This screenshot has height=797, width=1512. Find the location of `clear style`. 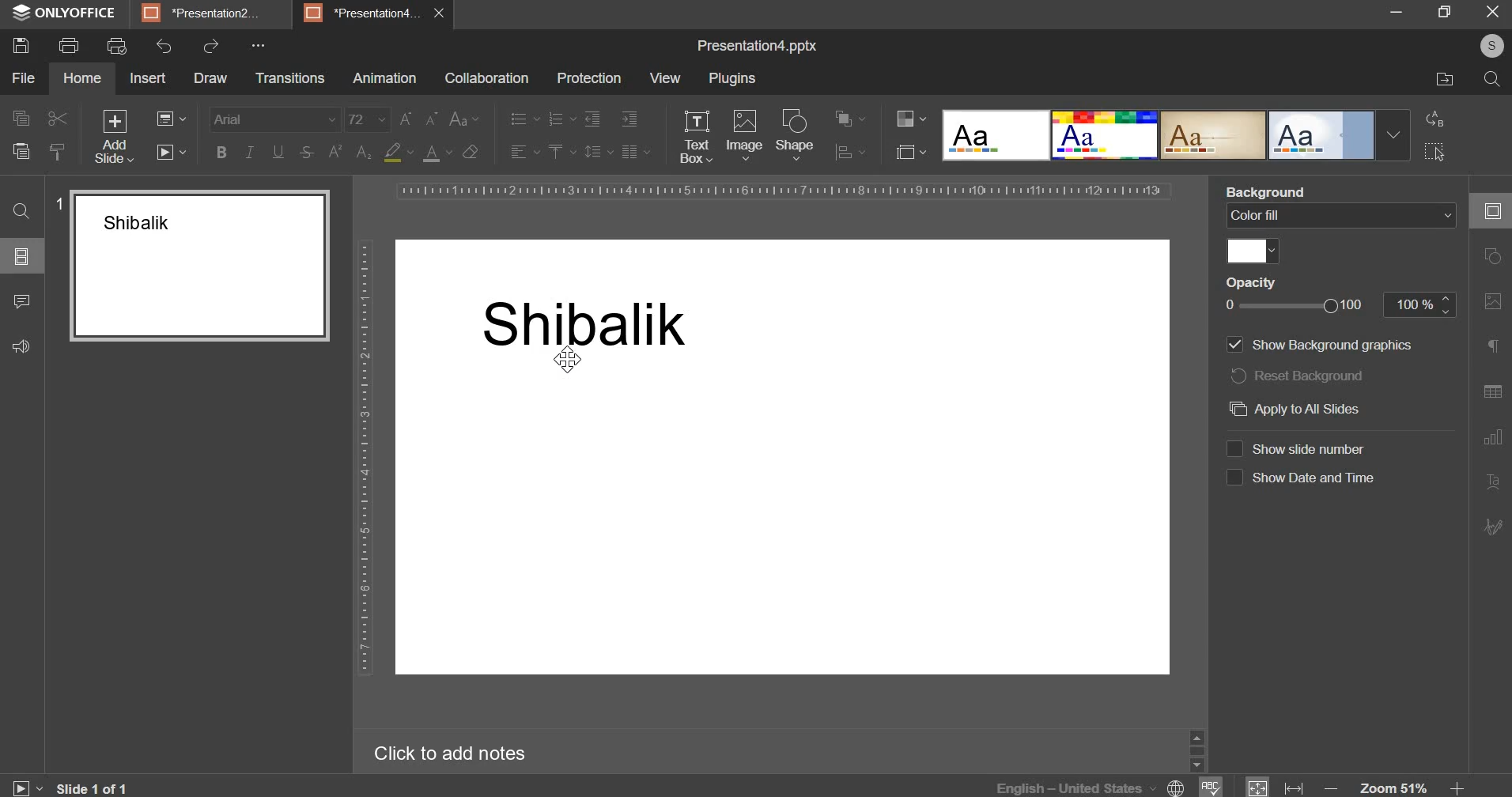

clear style is located at coordinates (471, 151).